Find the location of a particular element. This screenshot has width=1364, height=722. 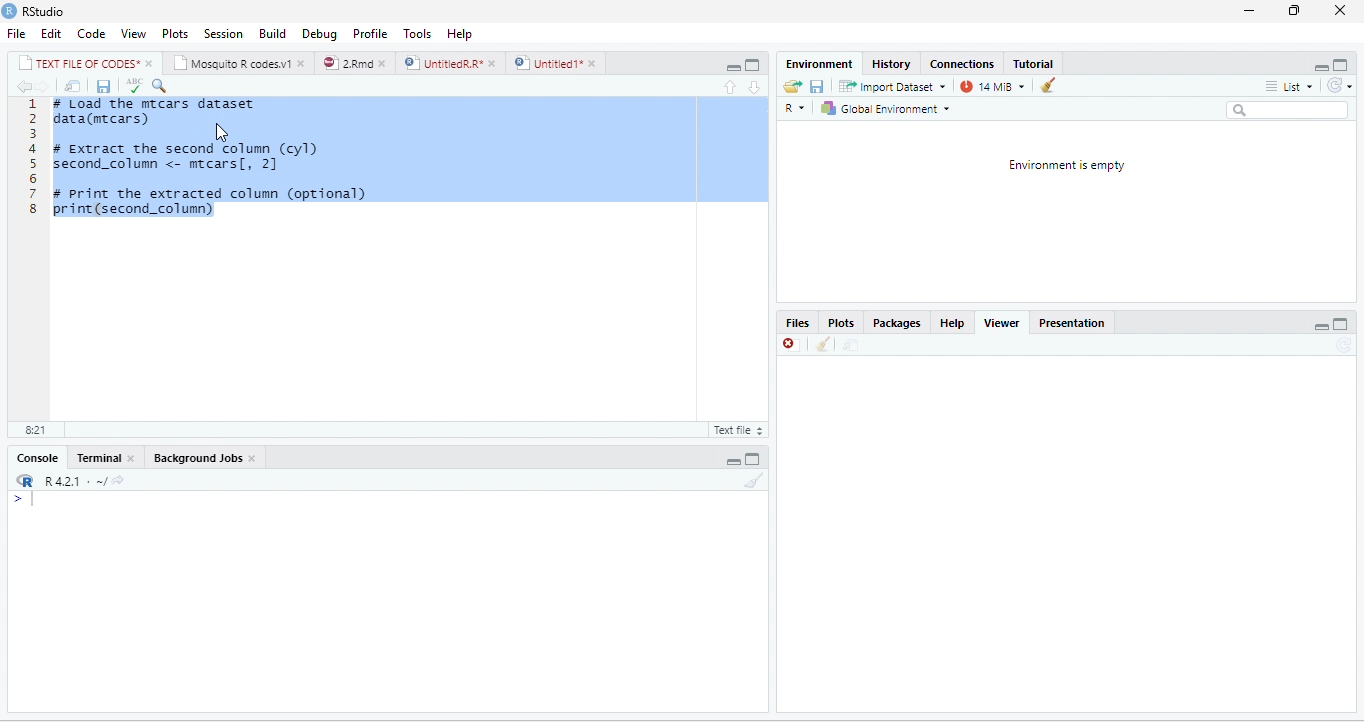

Packages is located at coordinates (899, 324).